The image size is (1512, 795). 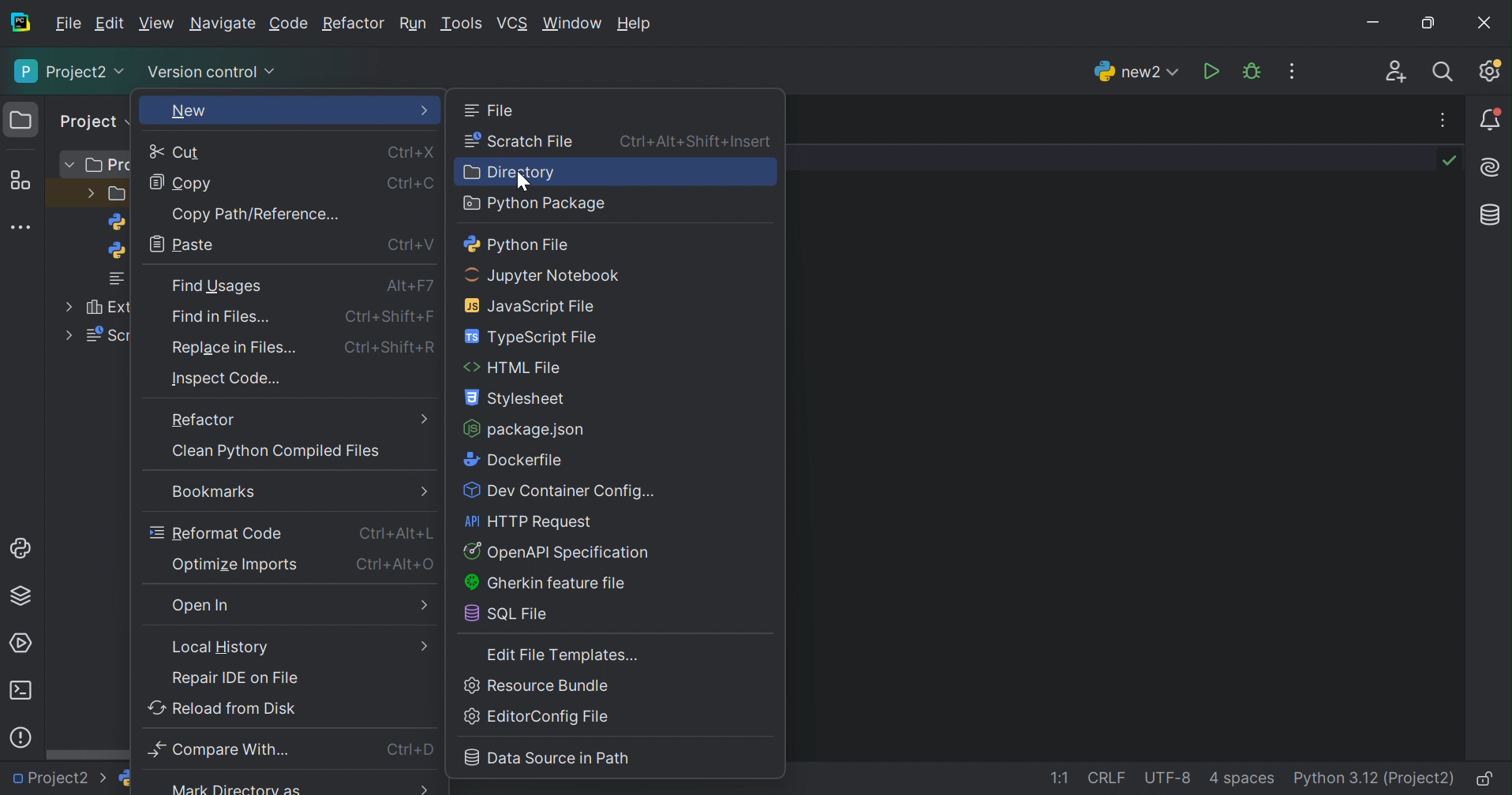 What do you see at coordinates (1374, 18) in the screenshot?
I see `Minimize` at bounding box center [1374, 18].